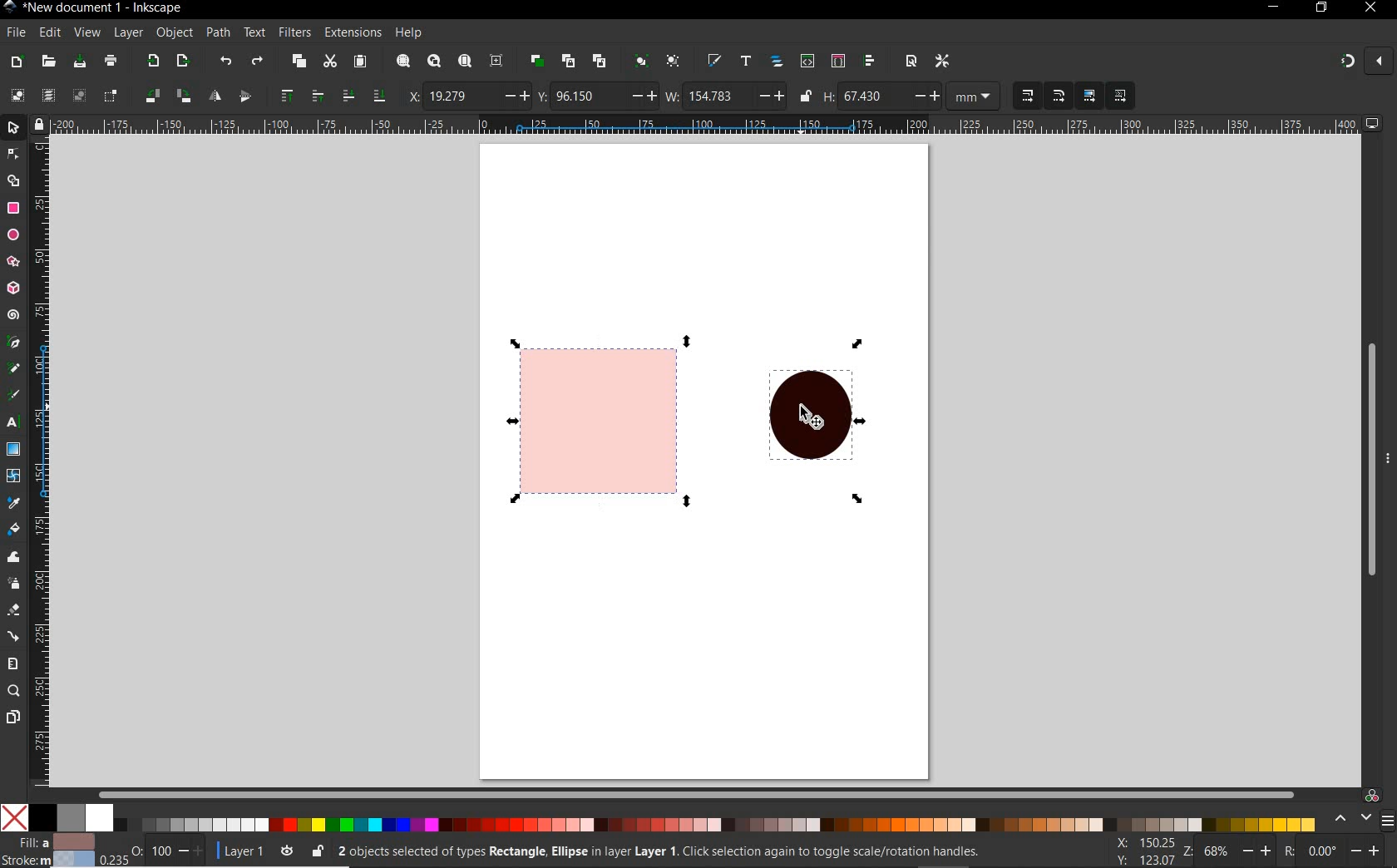 The image size is (1397, 868). Describe the element at coordinates (289, 94) in the screenshot. I see `raise to top` at that location.